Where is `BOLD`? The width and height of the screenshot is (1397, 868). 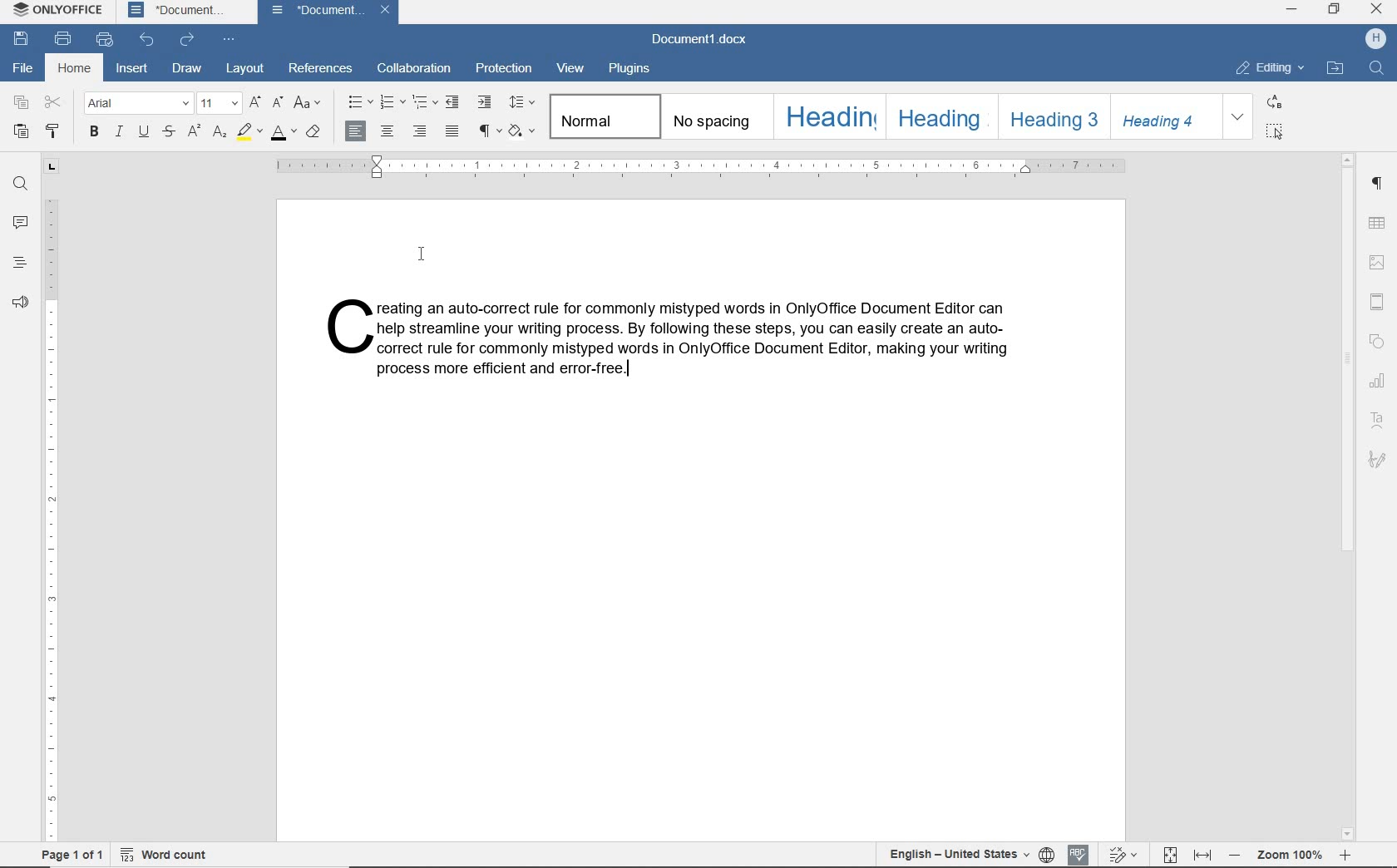 BOLD is located at coordinates (95, 135).